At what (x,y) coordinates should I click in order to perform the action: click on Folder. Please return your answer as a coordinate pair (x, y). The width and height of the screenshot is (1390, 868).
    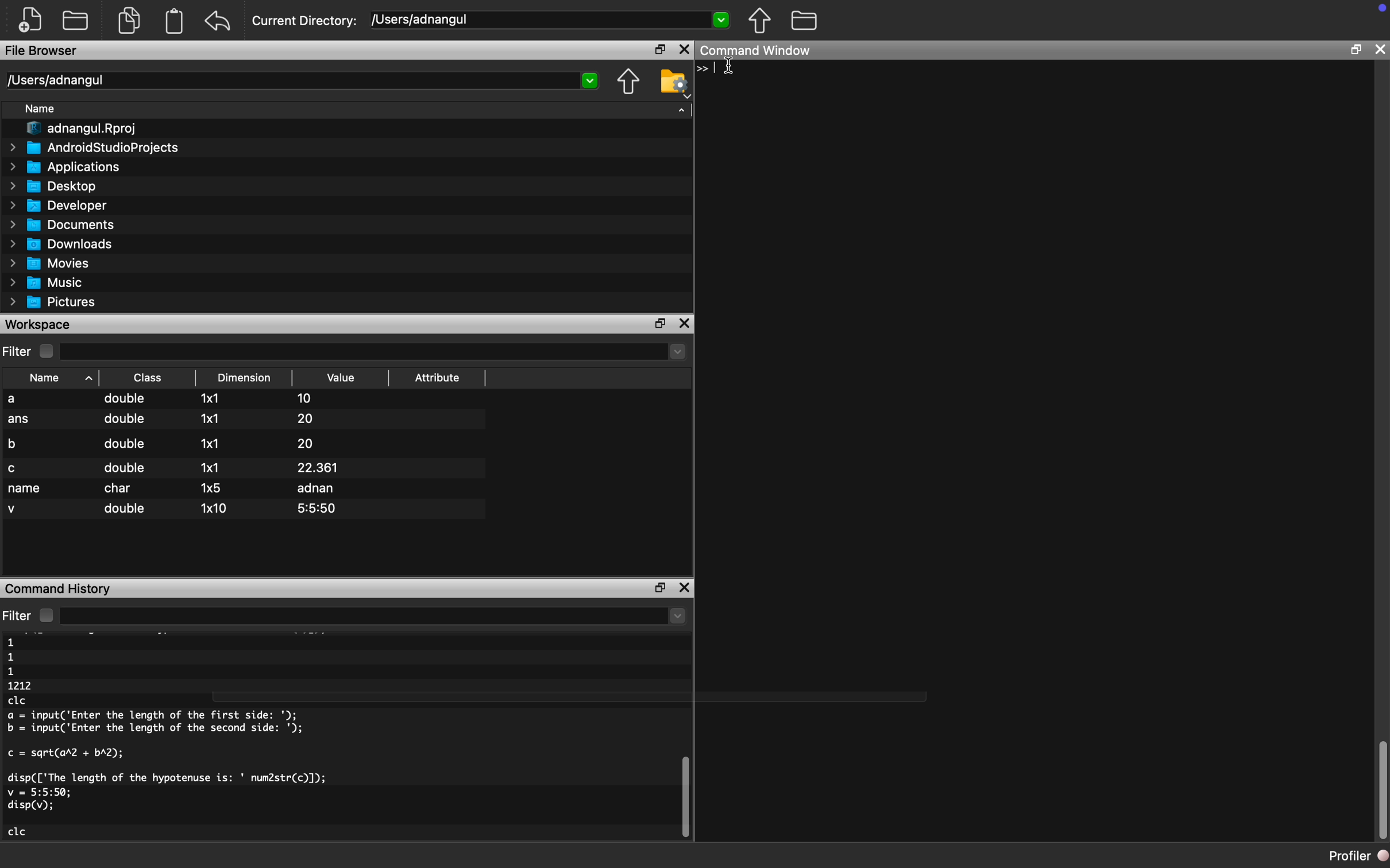
    Looking at the image, I should click on (805, 21).